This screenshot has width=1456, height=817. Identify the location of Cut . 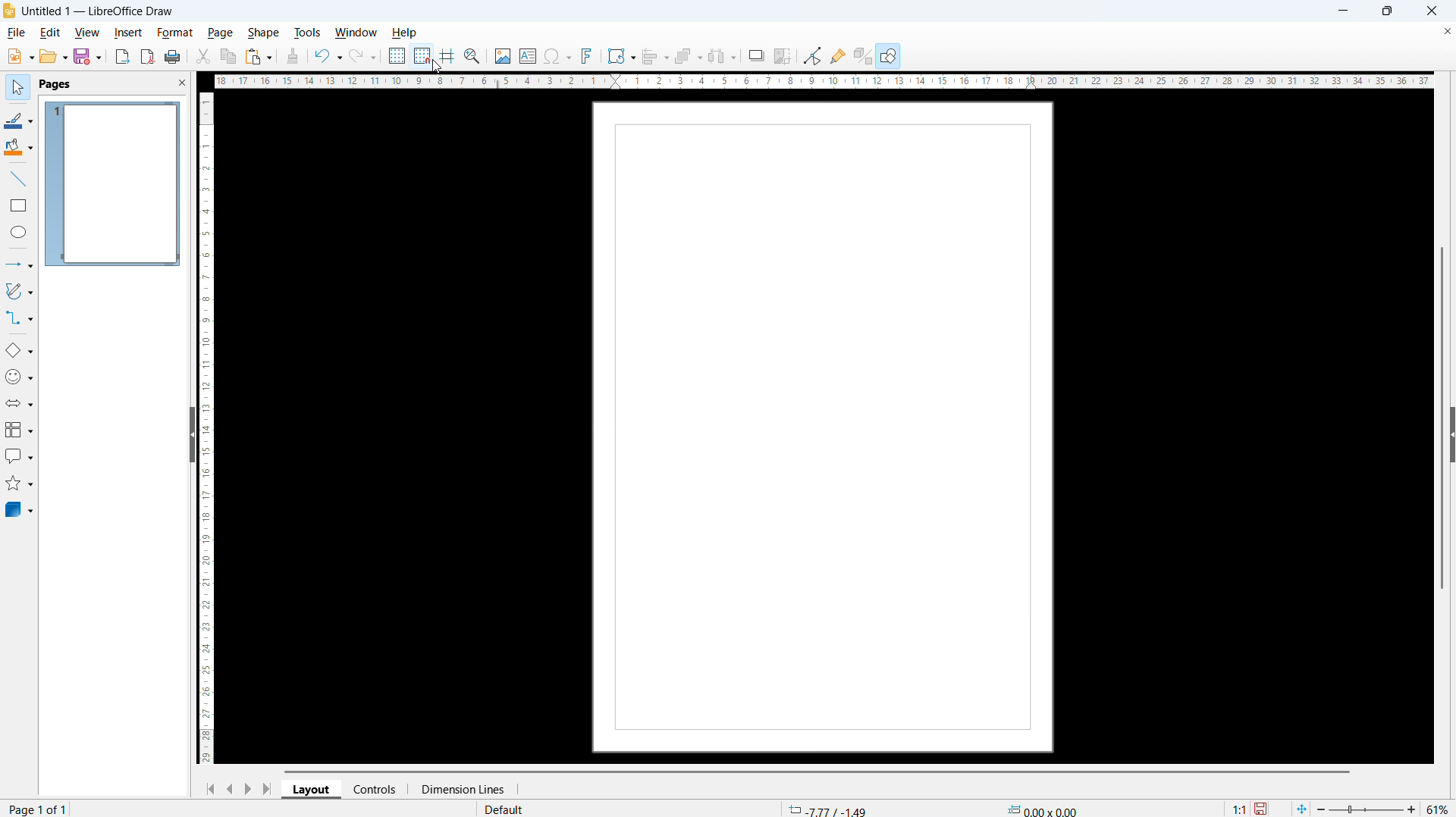
(202, 56).